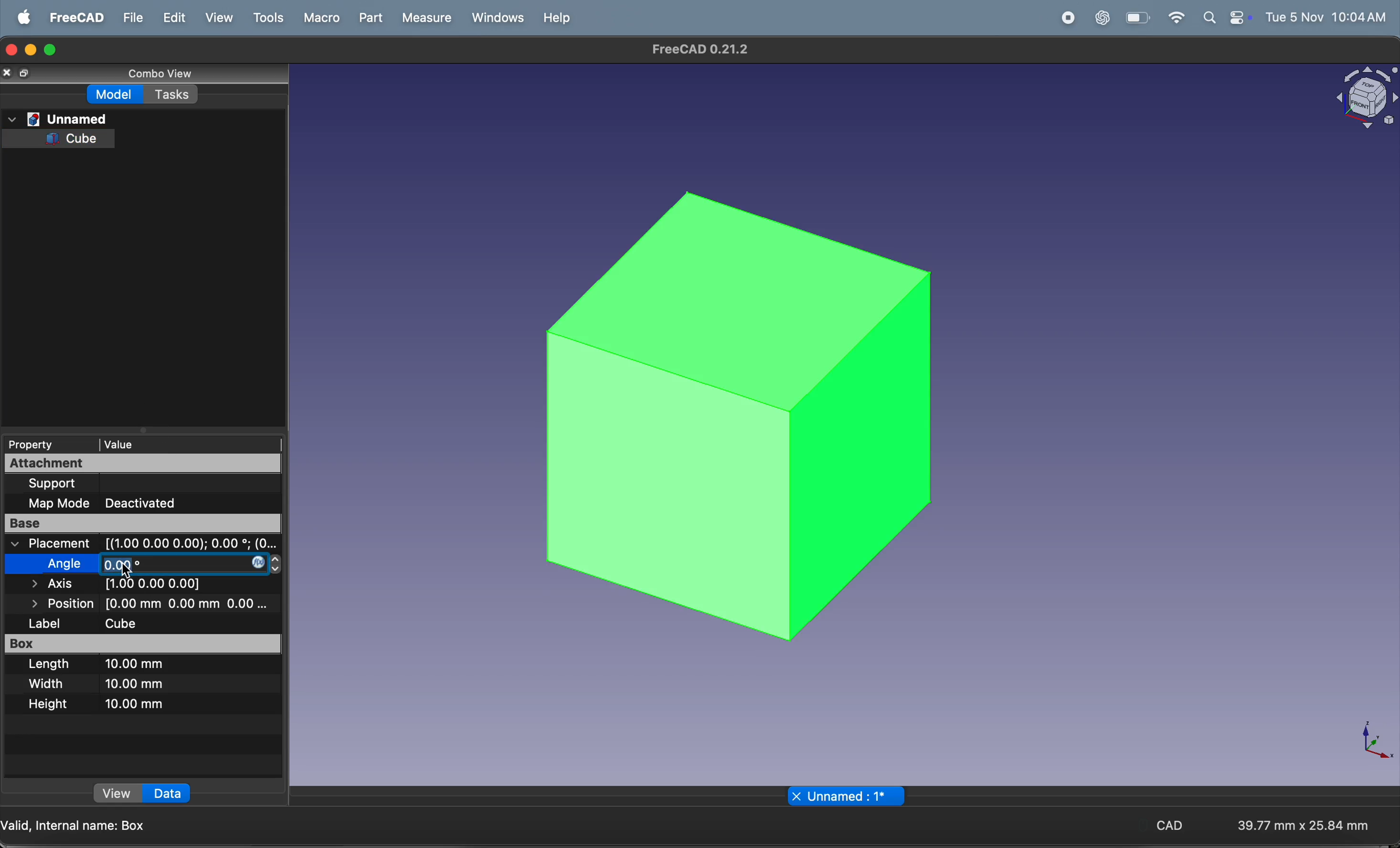 The width and height of the screenshot is (1400, 848). I want to click on coordinates, so click(187, 544).